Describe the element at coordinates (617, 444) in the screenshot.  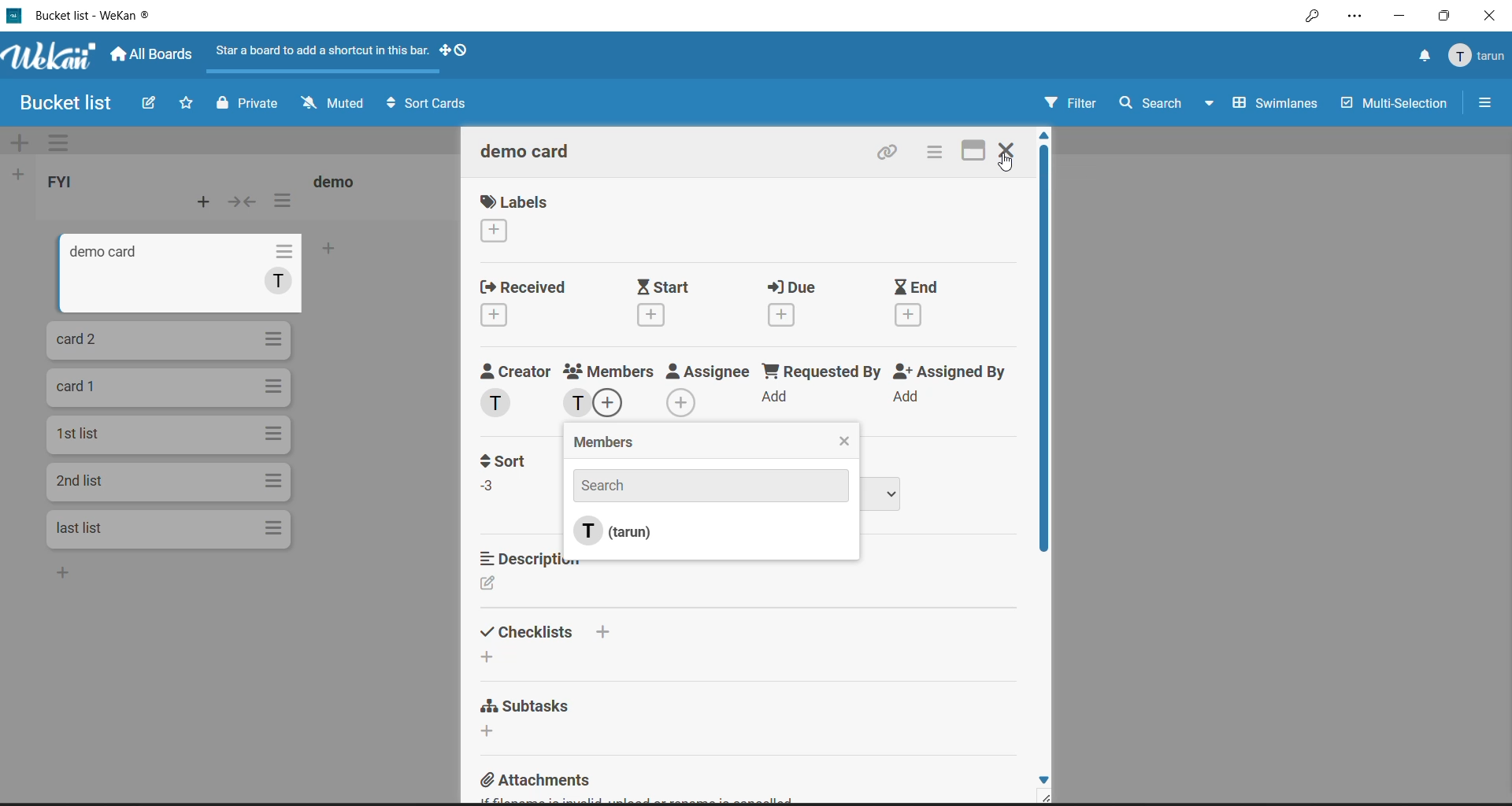
I see `members` at that location.